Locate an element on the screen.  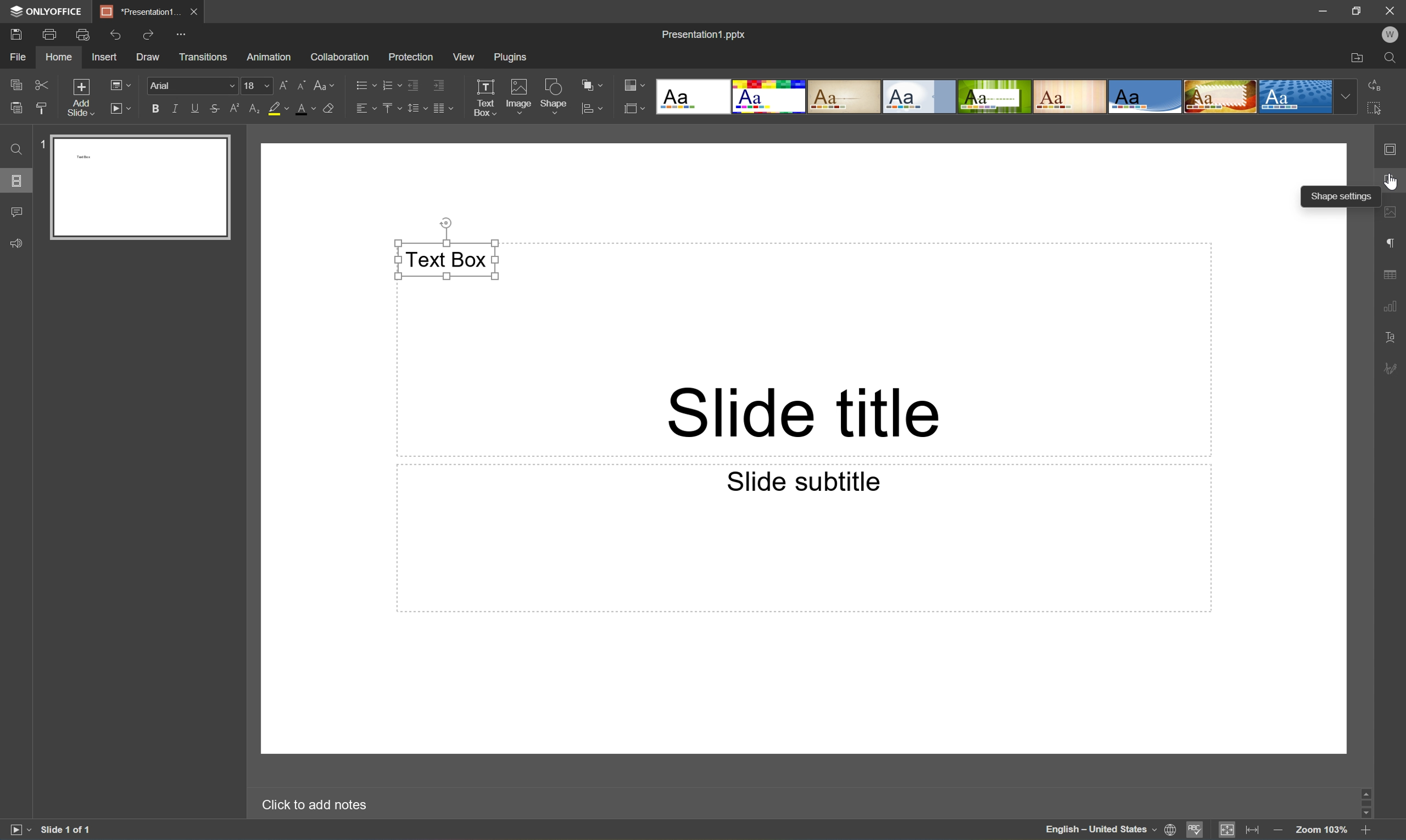
Change slide layout is located at coordinates (119, 84).